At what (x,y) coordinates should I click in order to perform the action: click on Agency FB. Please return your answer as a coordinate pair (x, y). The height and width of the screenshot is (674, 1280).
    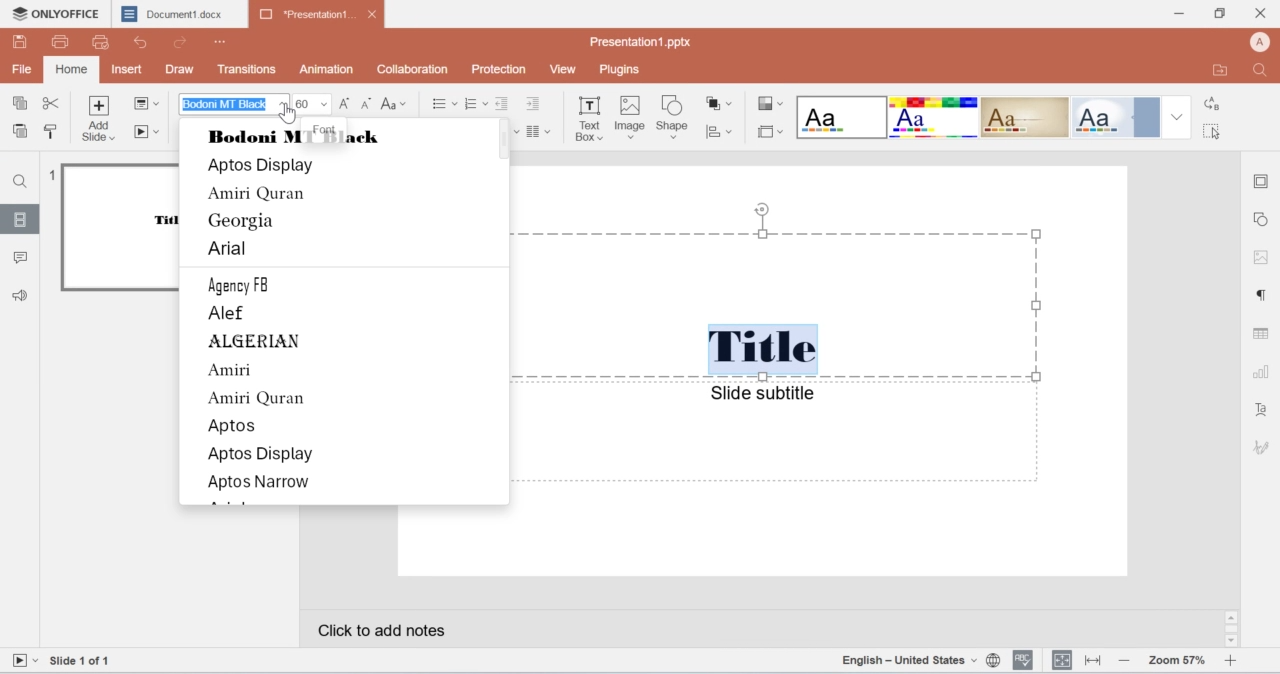
    Looking at the image, I should click on (250, 286).